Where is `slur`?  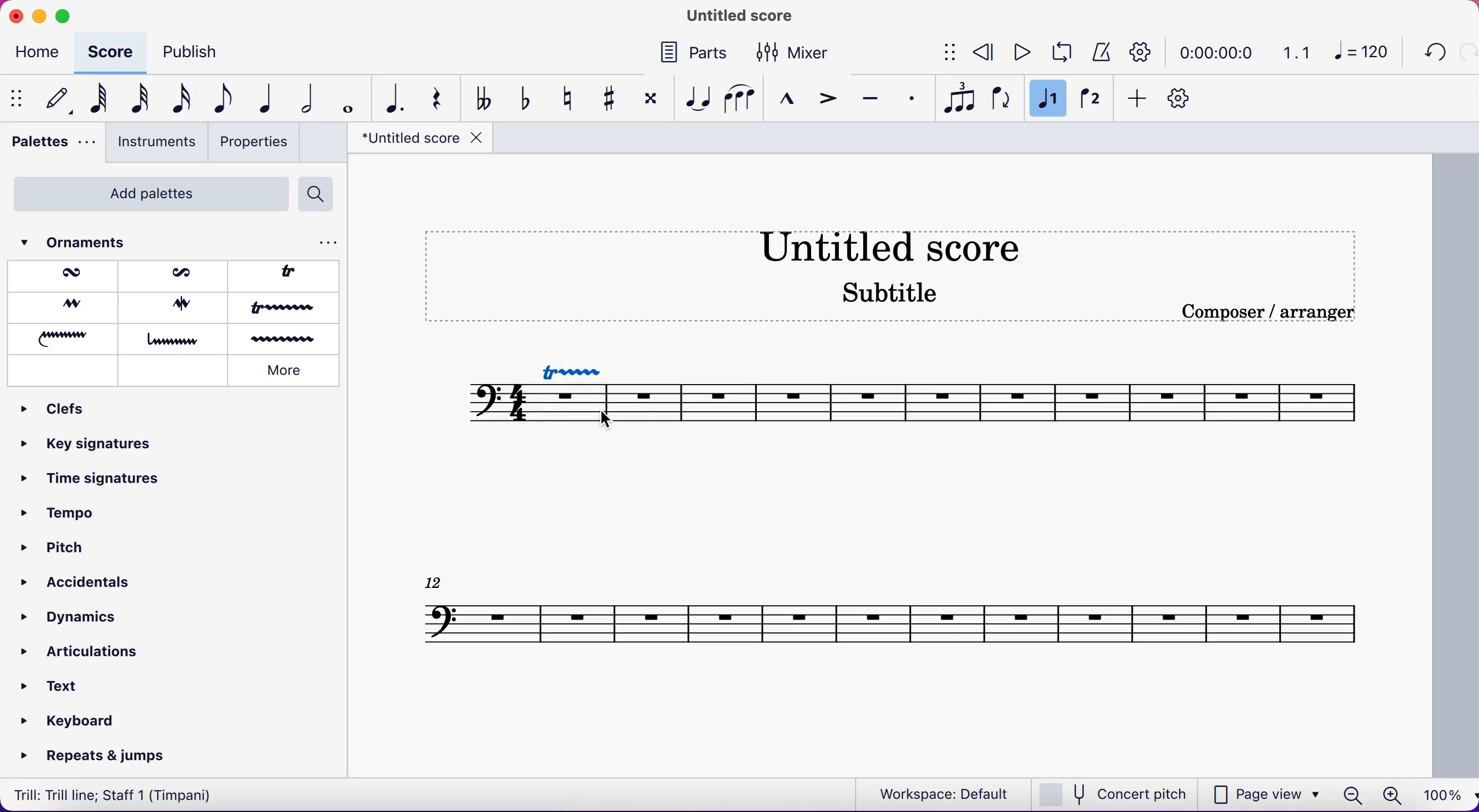
slur is located at coordinates (739, 99).